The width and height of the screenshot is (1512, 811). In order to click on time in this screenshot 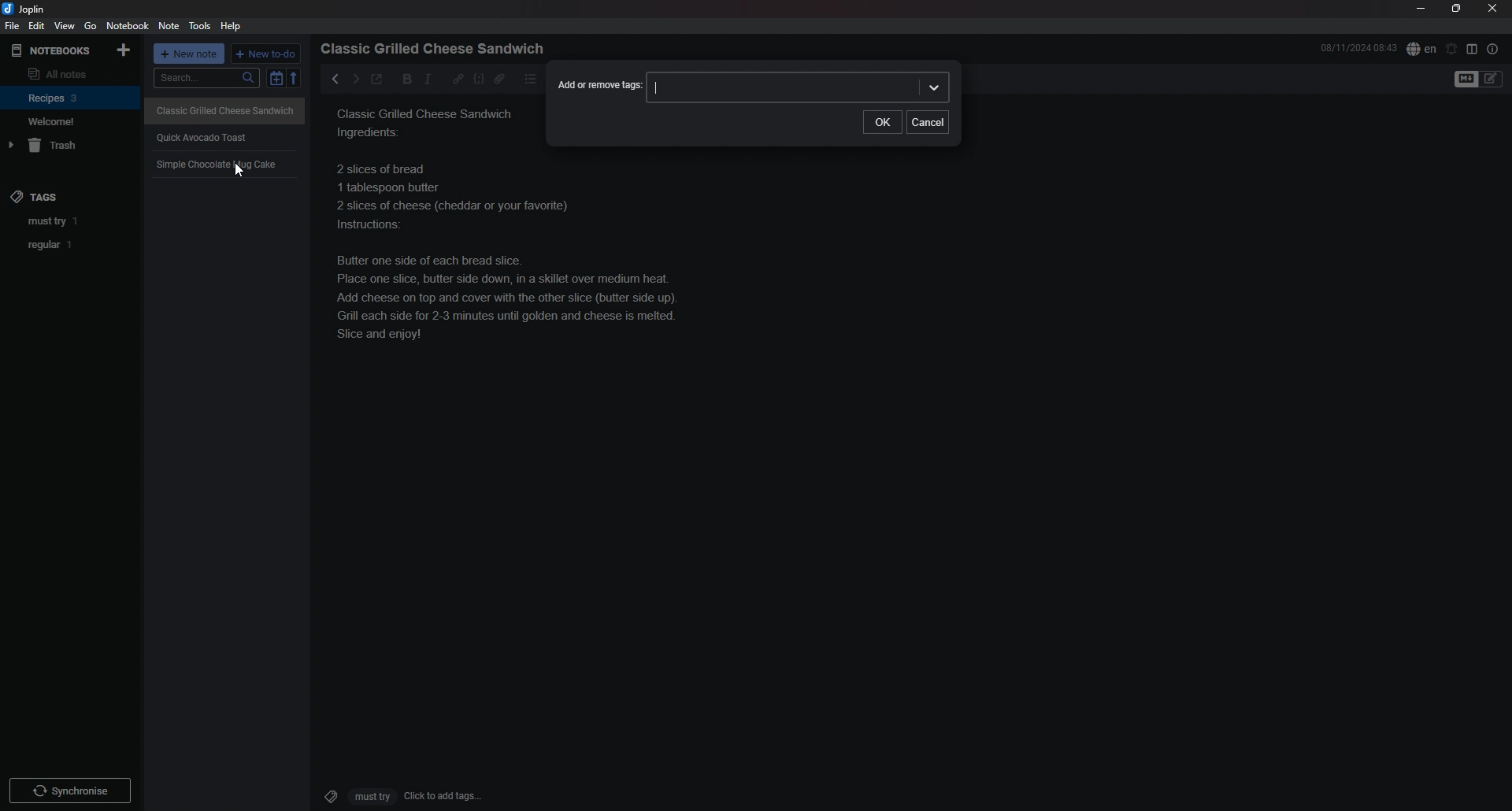, I will do `click(1358, 47)`.